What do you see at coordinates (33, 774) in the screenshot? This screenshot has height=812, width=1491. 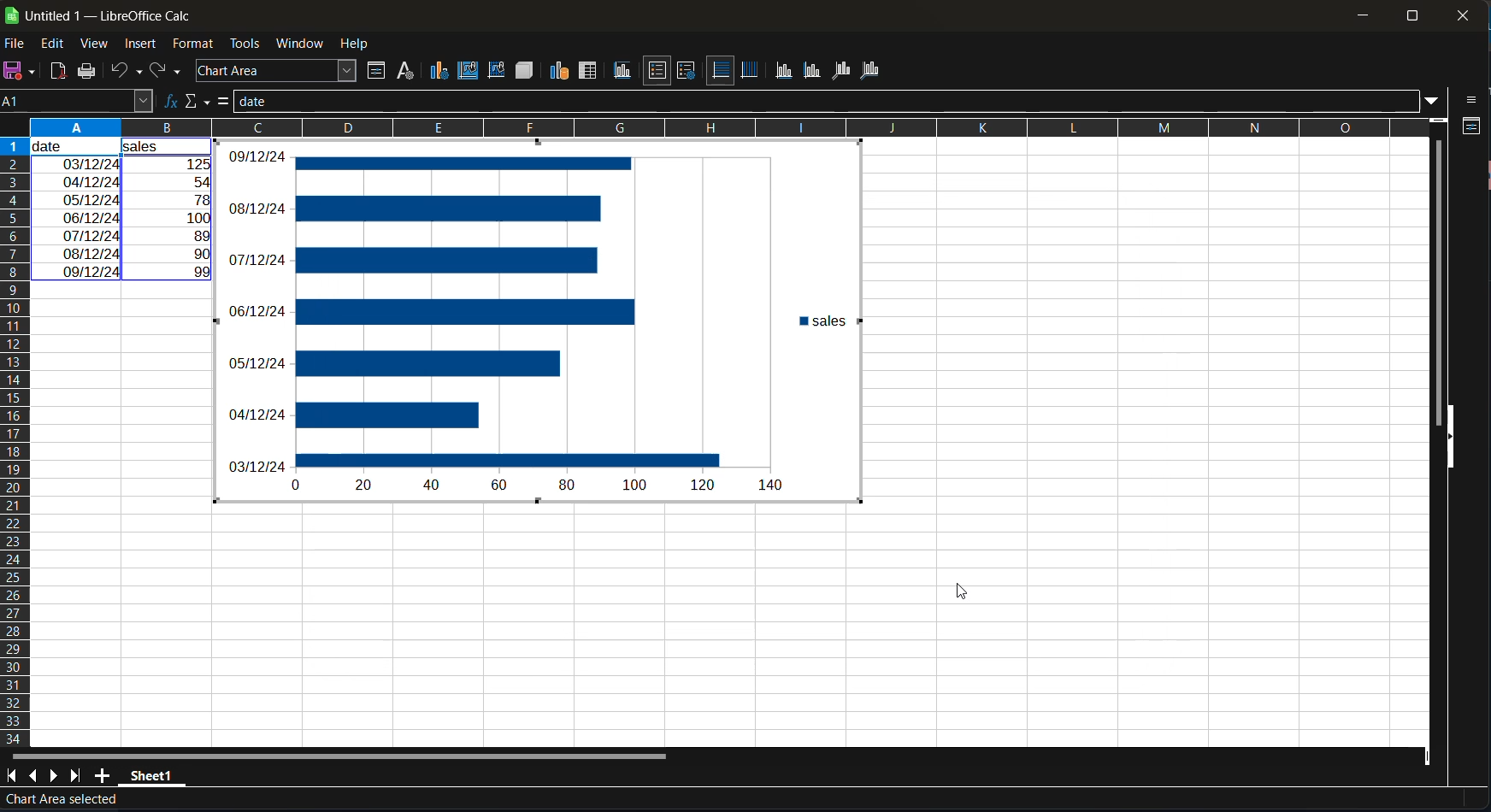 I see `scroll to previous sheet` at bounding box center [33, 774].